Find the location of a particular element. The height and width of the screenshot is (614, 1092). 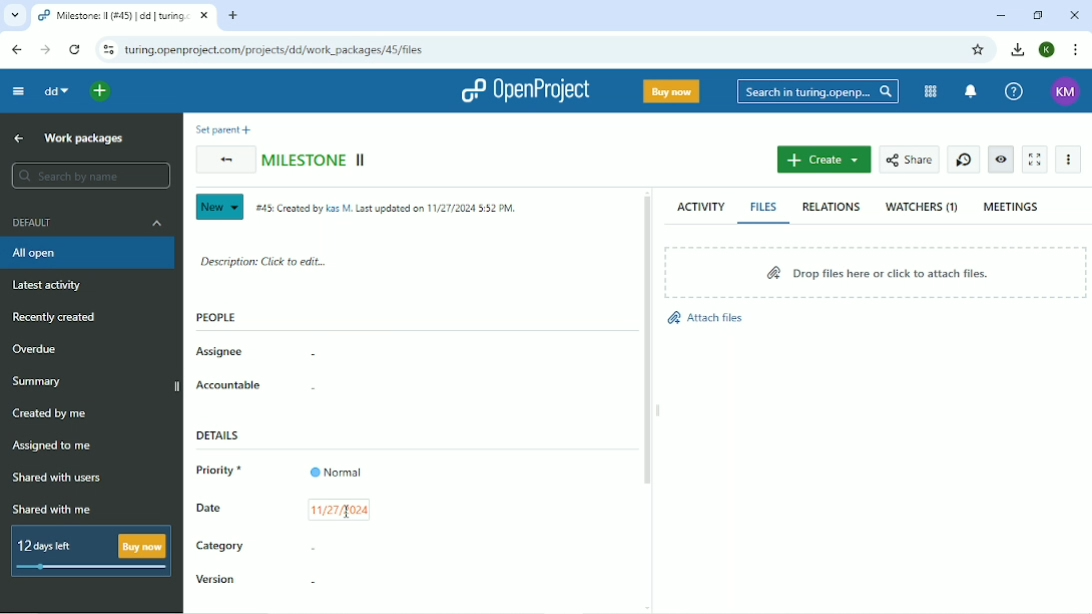

New is located at coordinates (218, 207).